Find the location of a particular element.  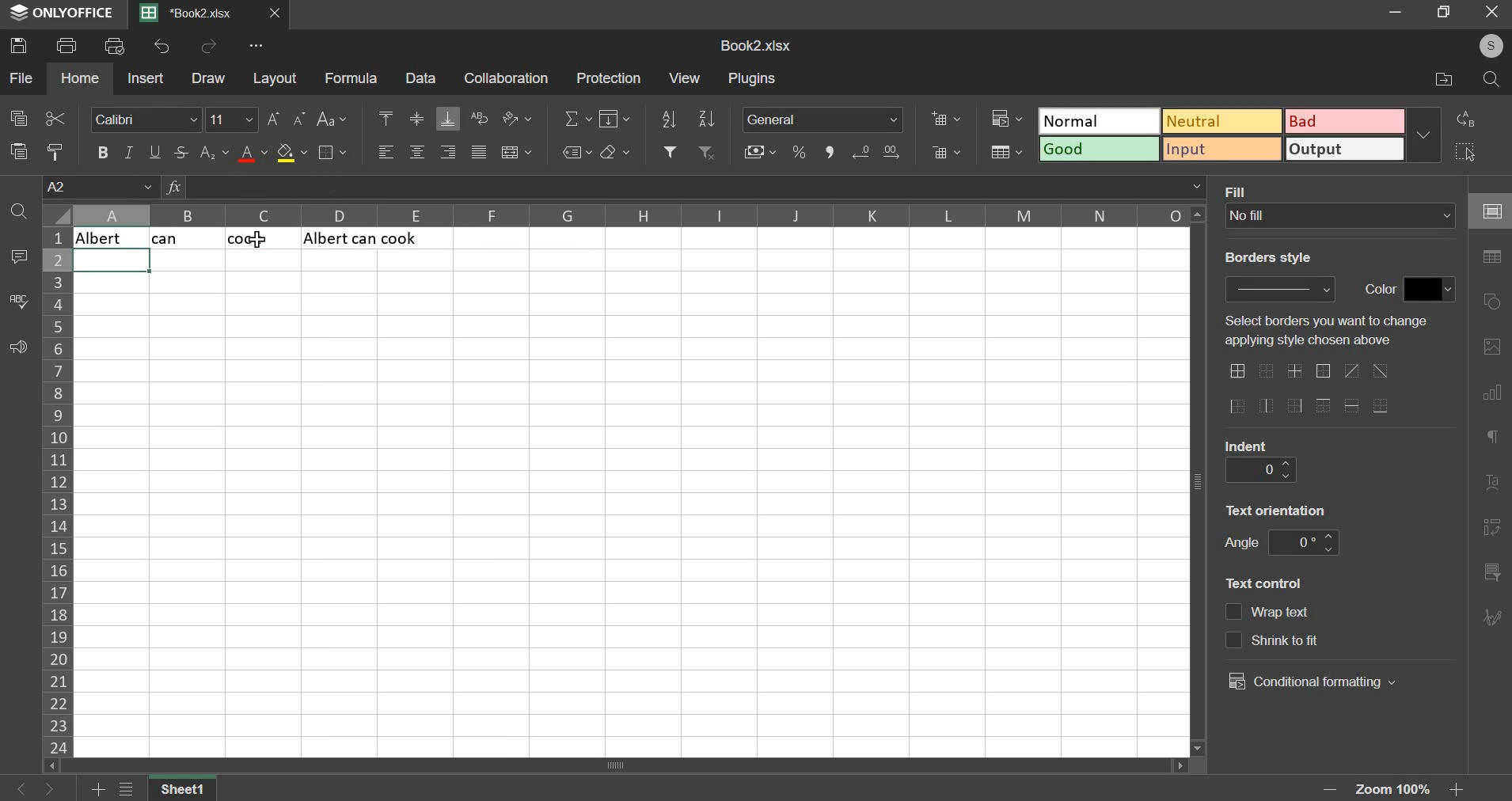

save as table is located at coordinates (1008, 153).